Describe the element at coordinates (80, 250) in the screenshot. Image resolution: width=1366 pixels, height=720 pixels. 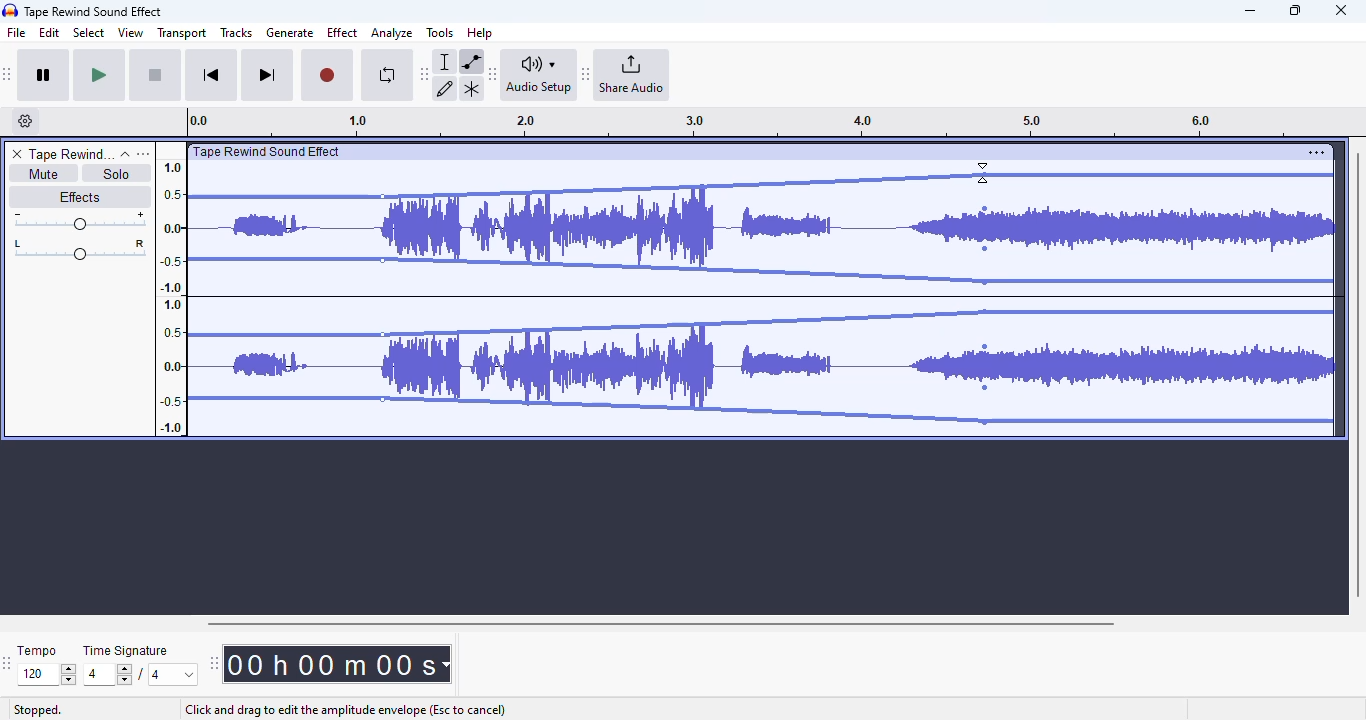
I see `Pan left/right` at that location.